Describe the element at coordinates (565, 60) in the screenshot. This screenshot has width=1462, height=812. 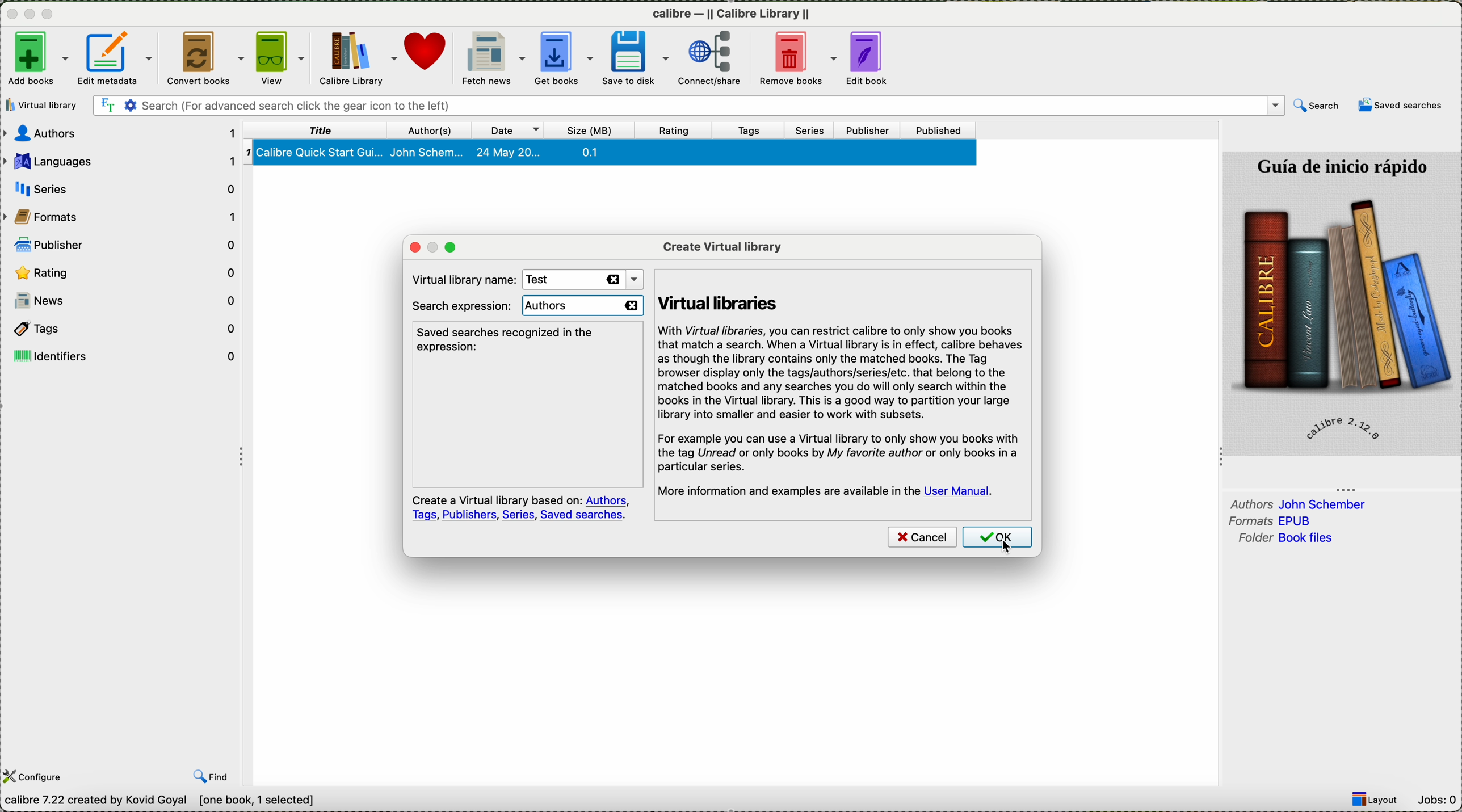
I see `get books` at that location.